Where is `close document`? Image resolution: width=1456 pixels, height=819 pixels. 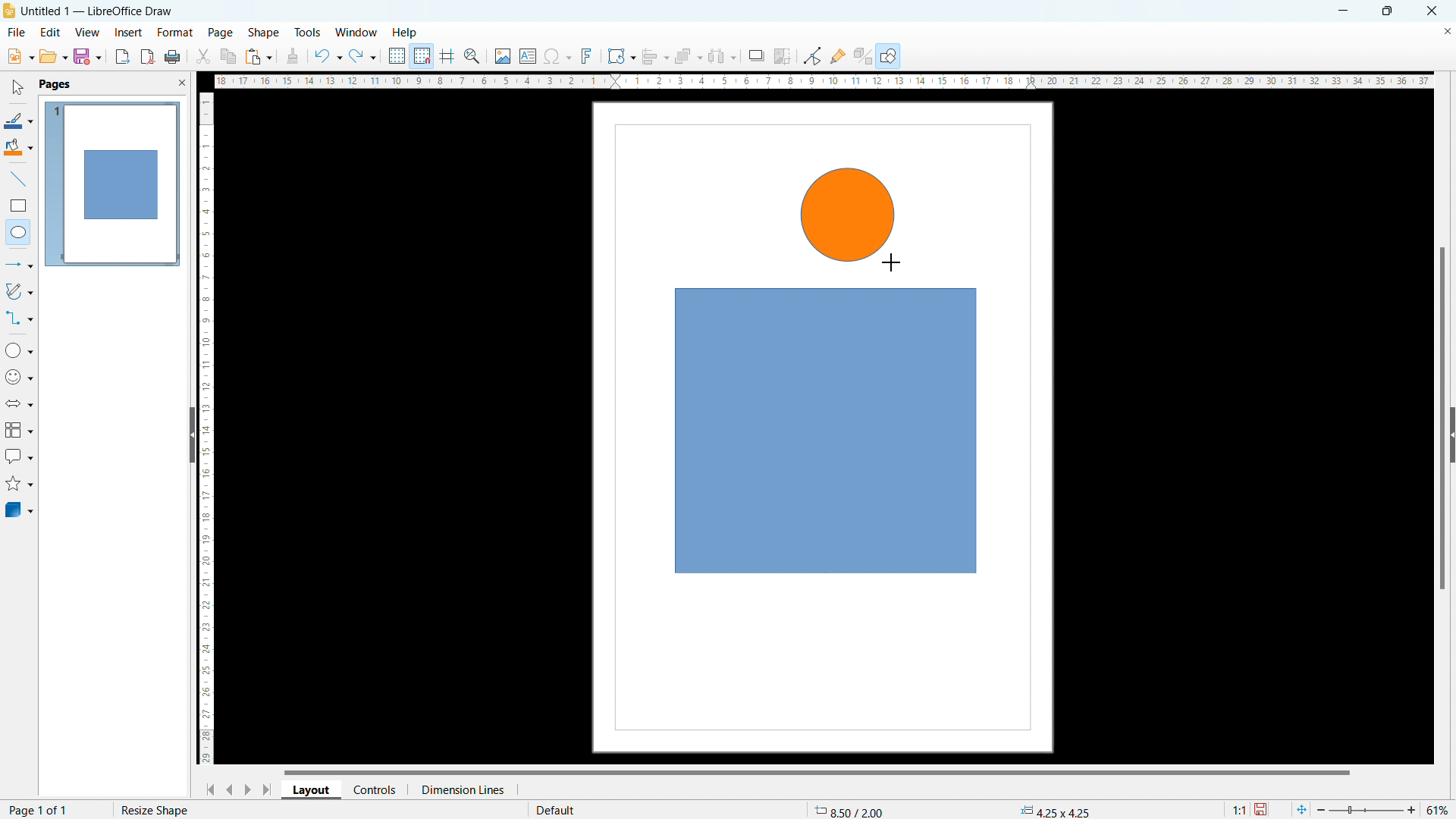 close document is located at coordinates (1447, 30).